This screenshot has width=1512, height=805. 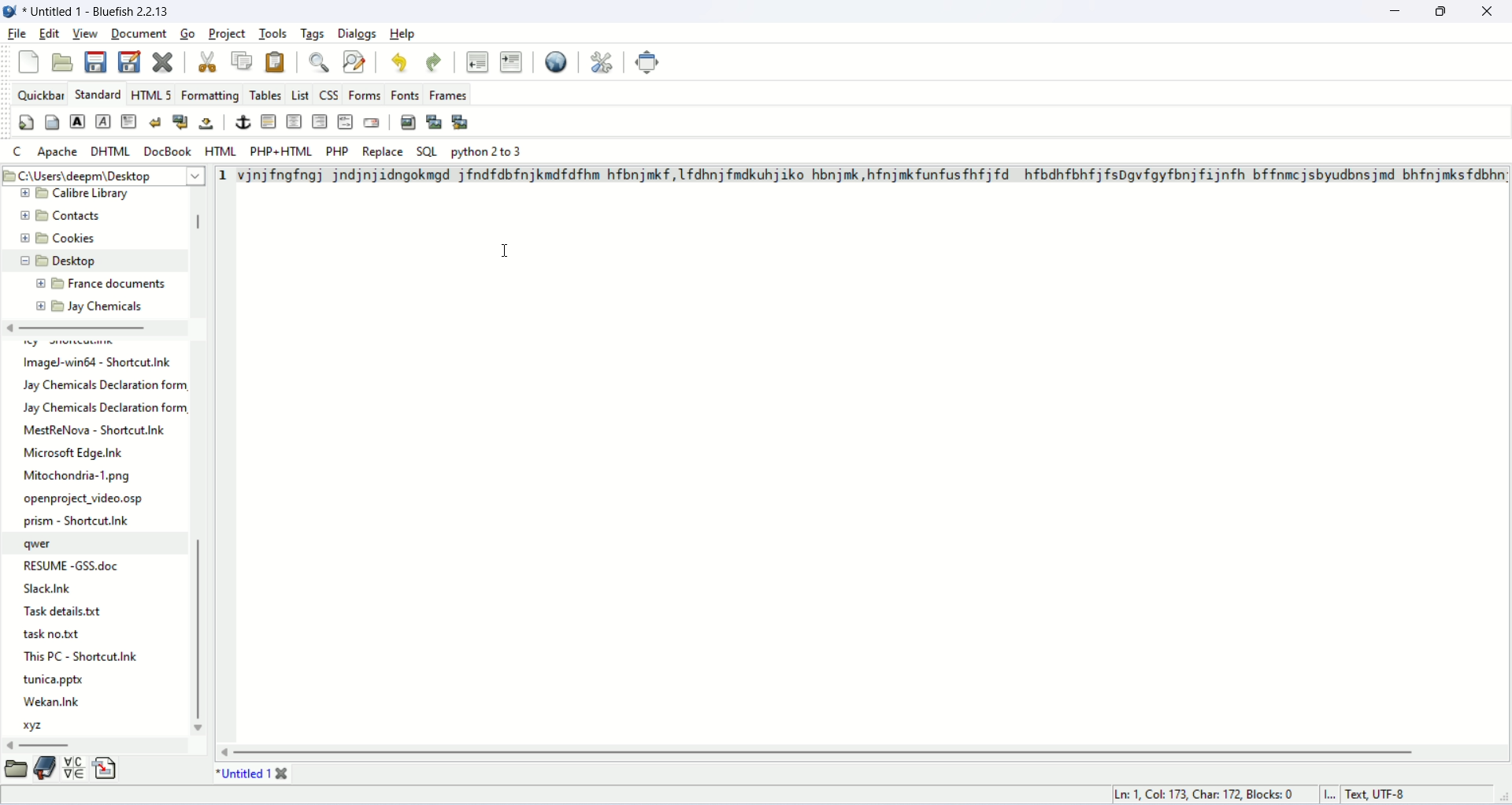 What do you see at coordinates (101, 12) in the screenshot?
I see `Untitled 1 - Bluefish 2.2.13` at bounding box center [101, 12].